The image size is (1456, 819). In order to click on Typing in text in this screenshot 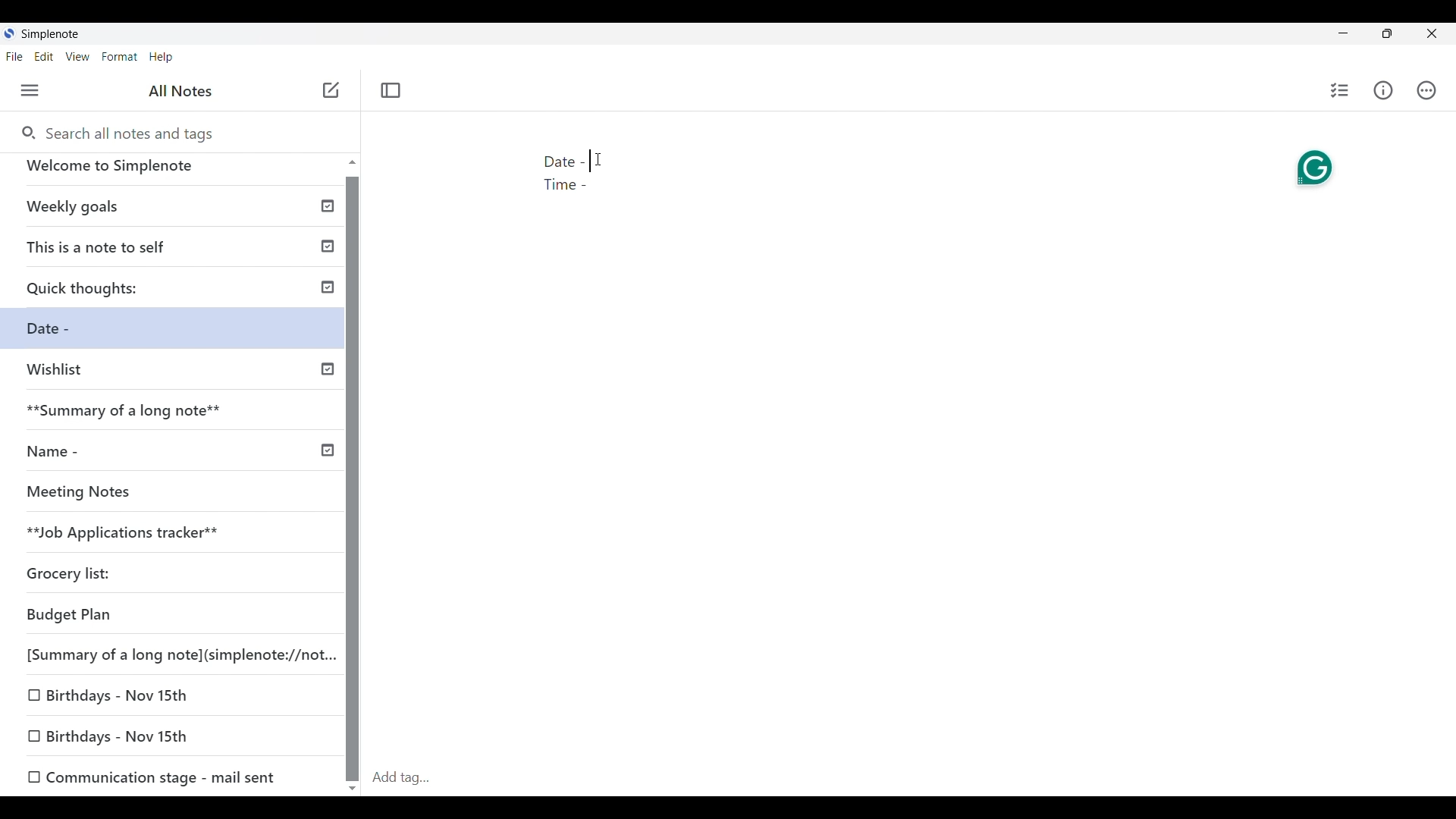, I will do `click(591, 162)`.